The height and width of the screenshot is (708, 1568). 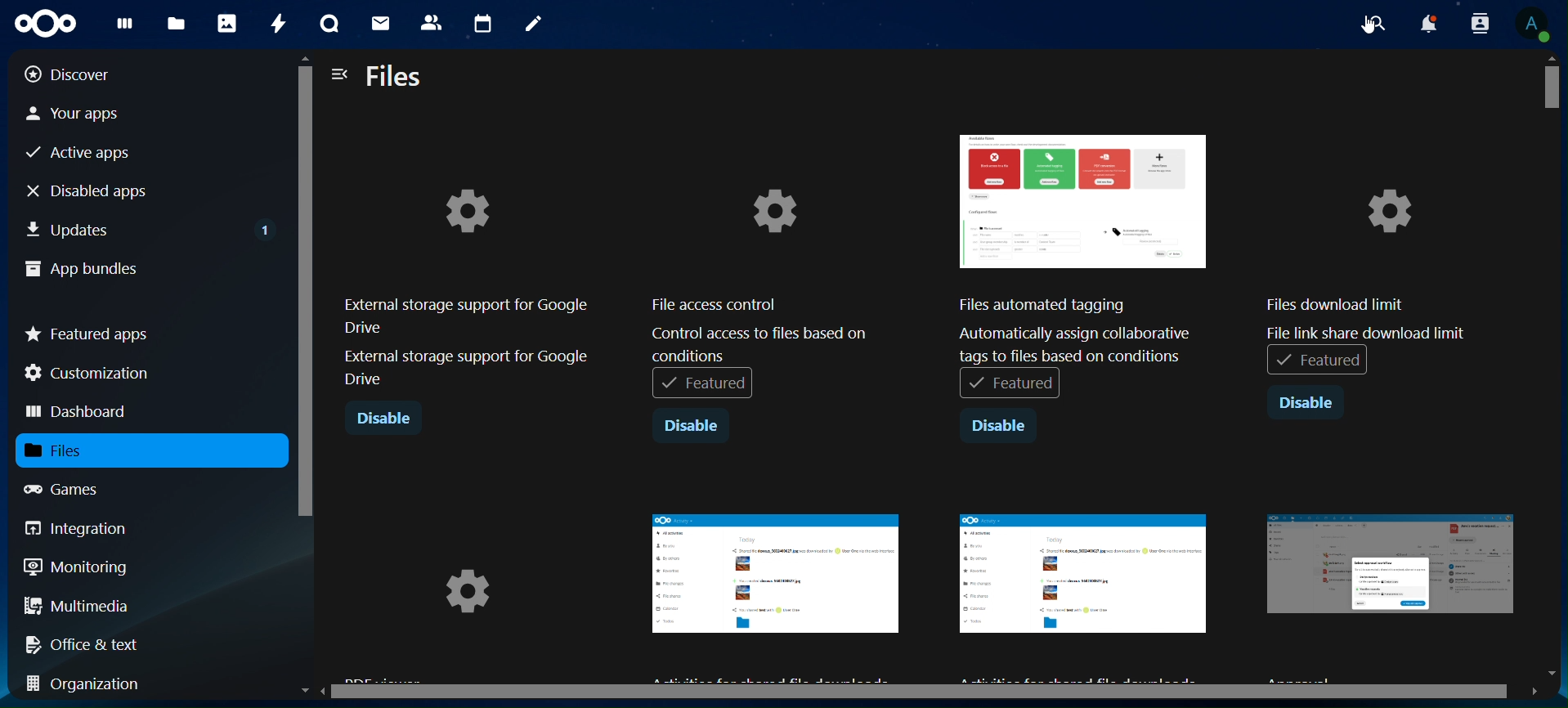 What do you see at coordinates (1365, 30) in the screenshot?
I see `cursor` at bounding box center [1365, 30].